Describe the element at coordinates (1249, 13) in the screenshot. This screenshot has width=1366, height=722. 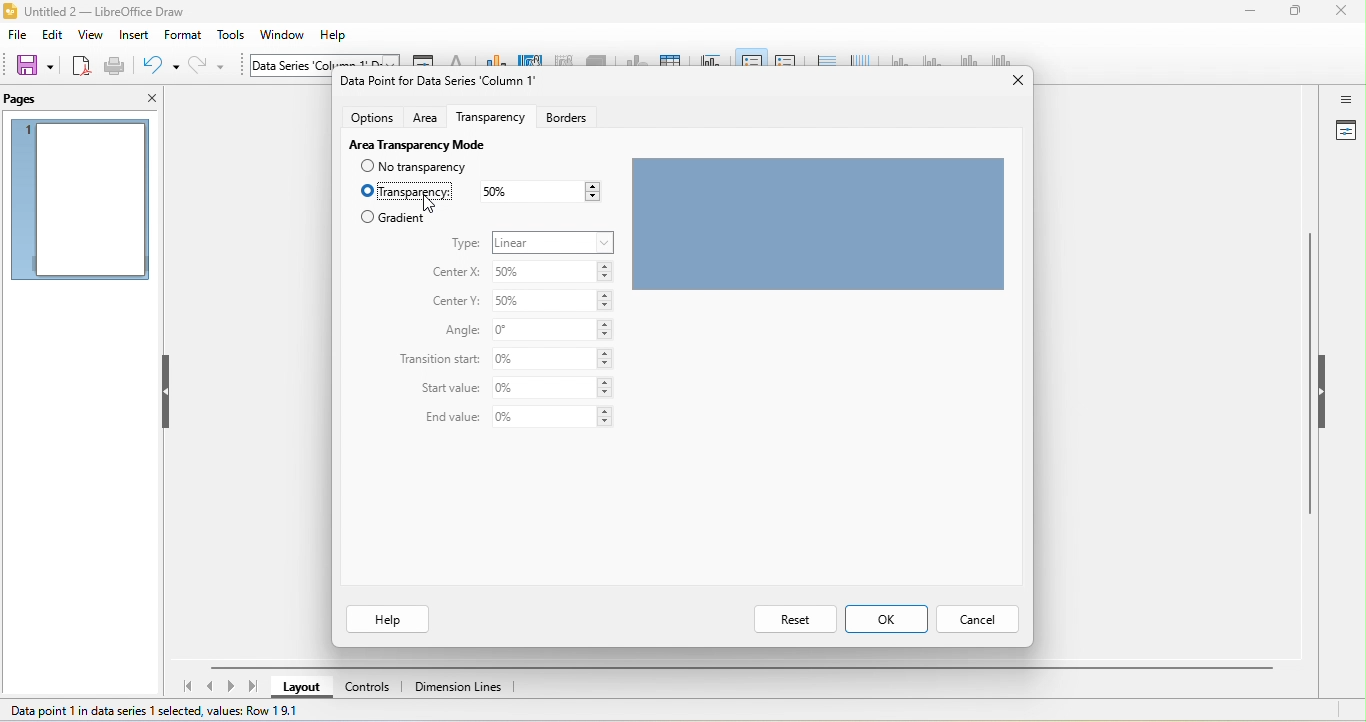
I see `minimize` at that location.